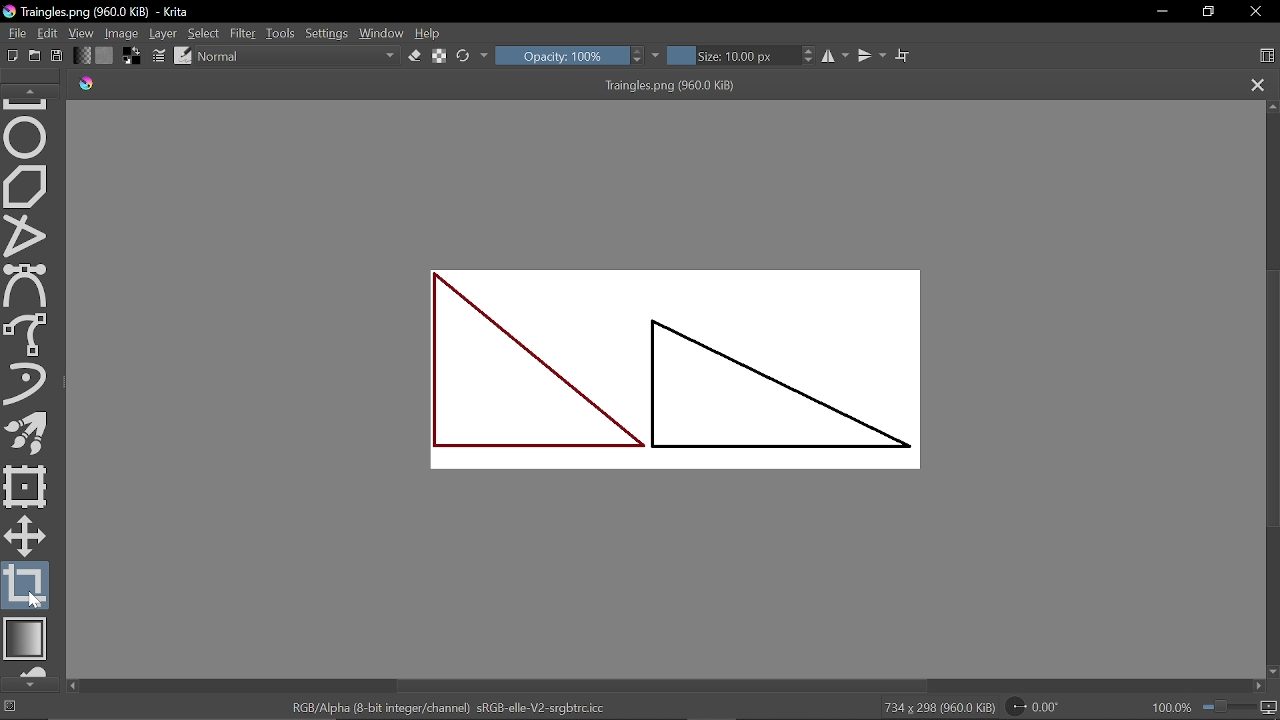 The image size is (1280, 720). Describe the element at coordinates (82, 55) in the screenshot. I see `Fill gradient` at that location.